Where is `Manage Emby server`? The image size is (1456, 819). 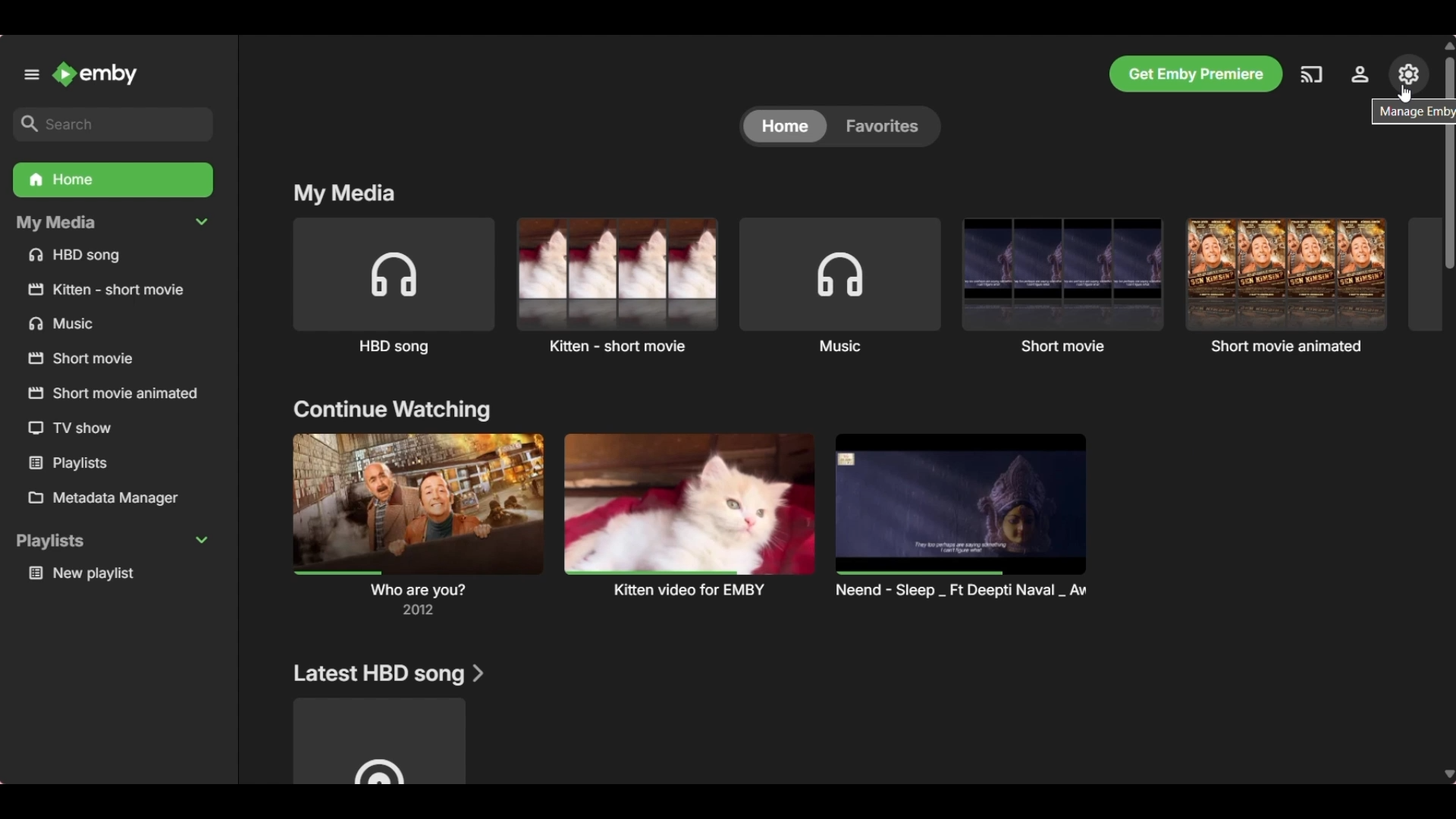
Manage Emby server is located at coordinates (1408, 74).